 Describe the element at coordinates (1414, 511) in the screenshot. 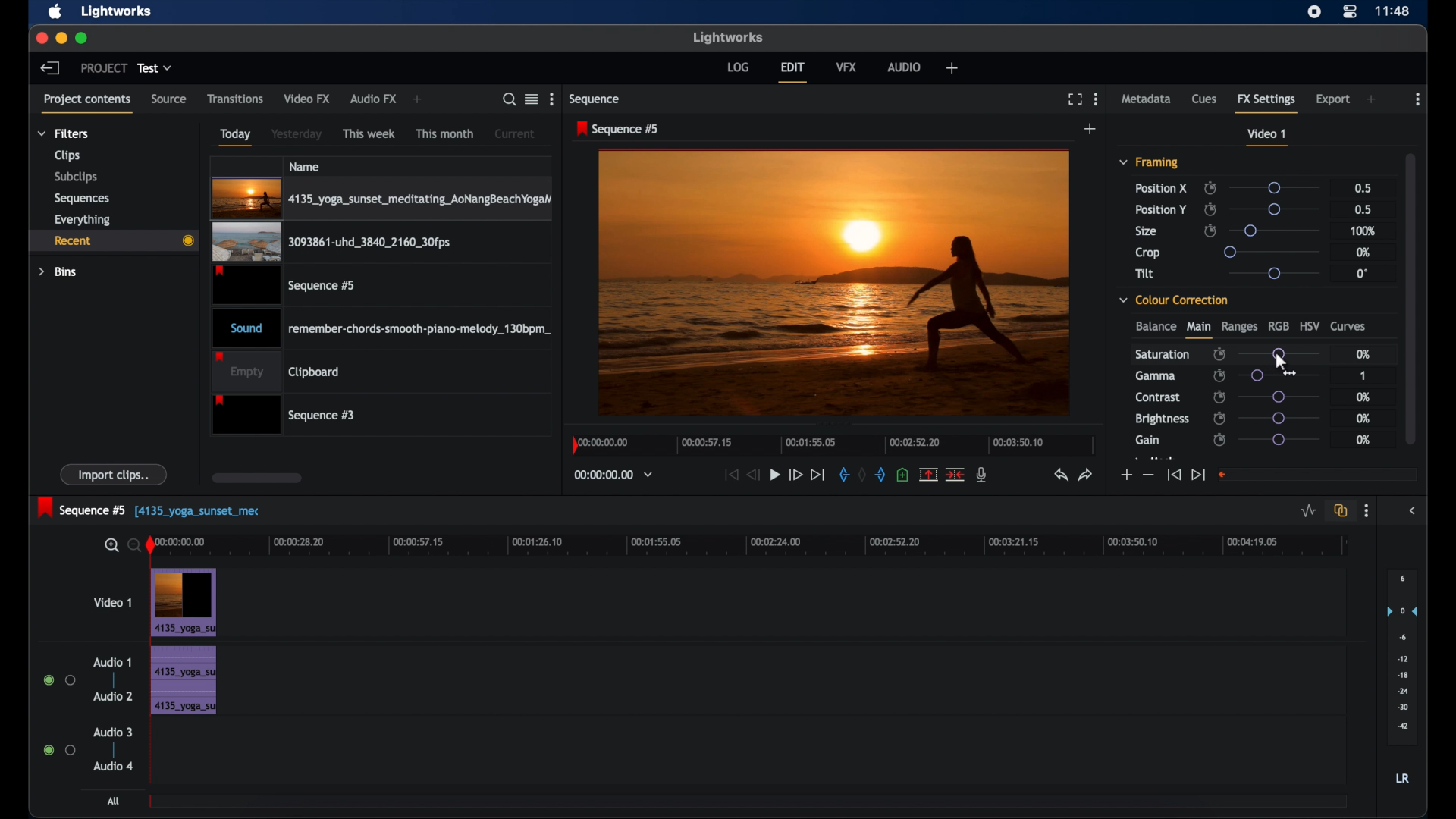

I see `sidebar` at that location.